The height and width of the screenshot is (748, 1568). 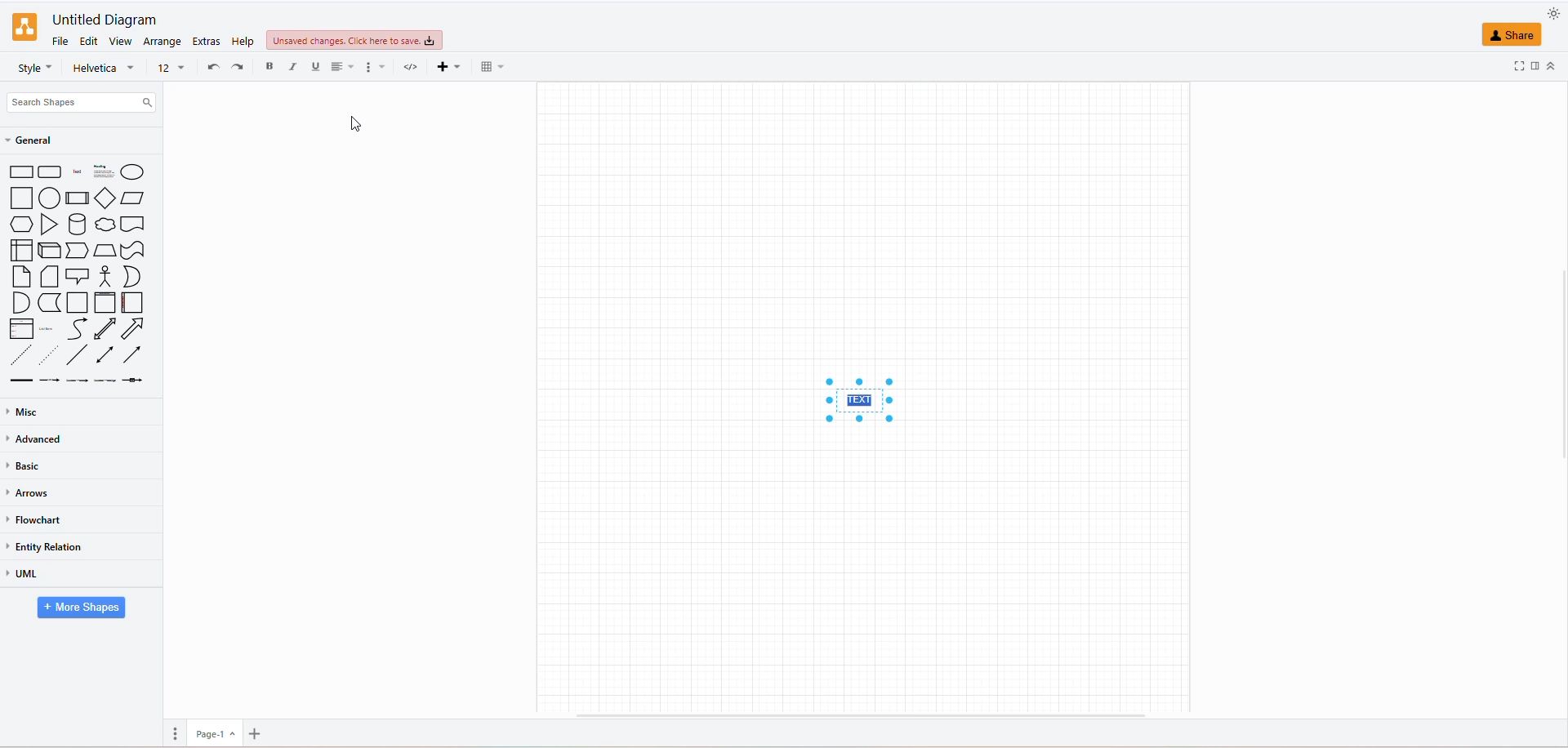 I want to click on arrows, so click(x=32, y=494).